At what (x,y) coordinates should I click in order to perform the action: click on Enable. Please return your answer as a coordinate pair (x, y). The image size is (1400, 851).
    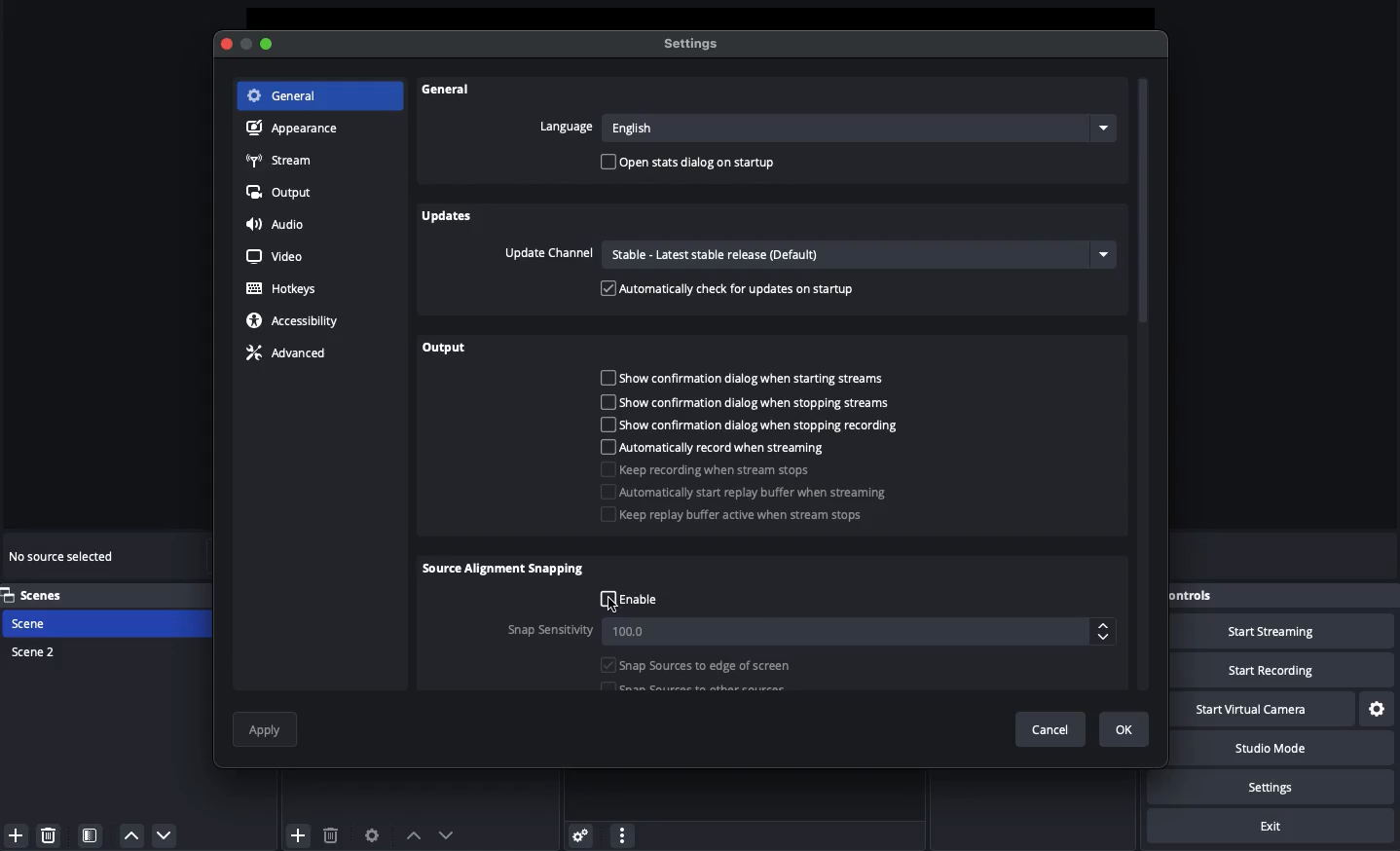
    Looking at the image, I should click on (631, 600).